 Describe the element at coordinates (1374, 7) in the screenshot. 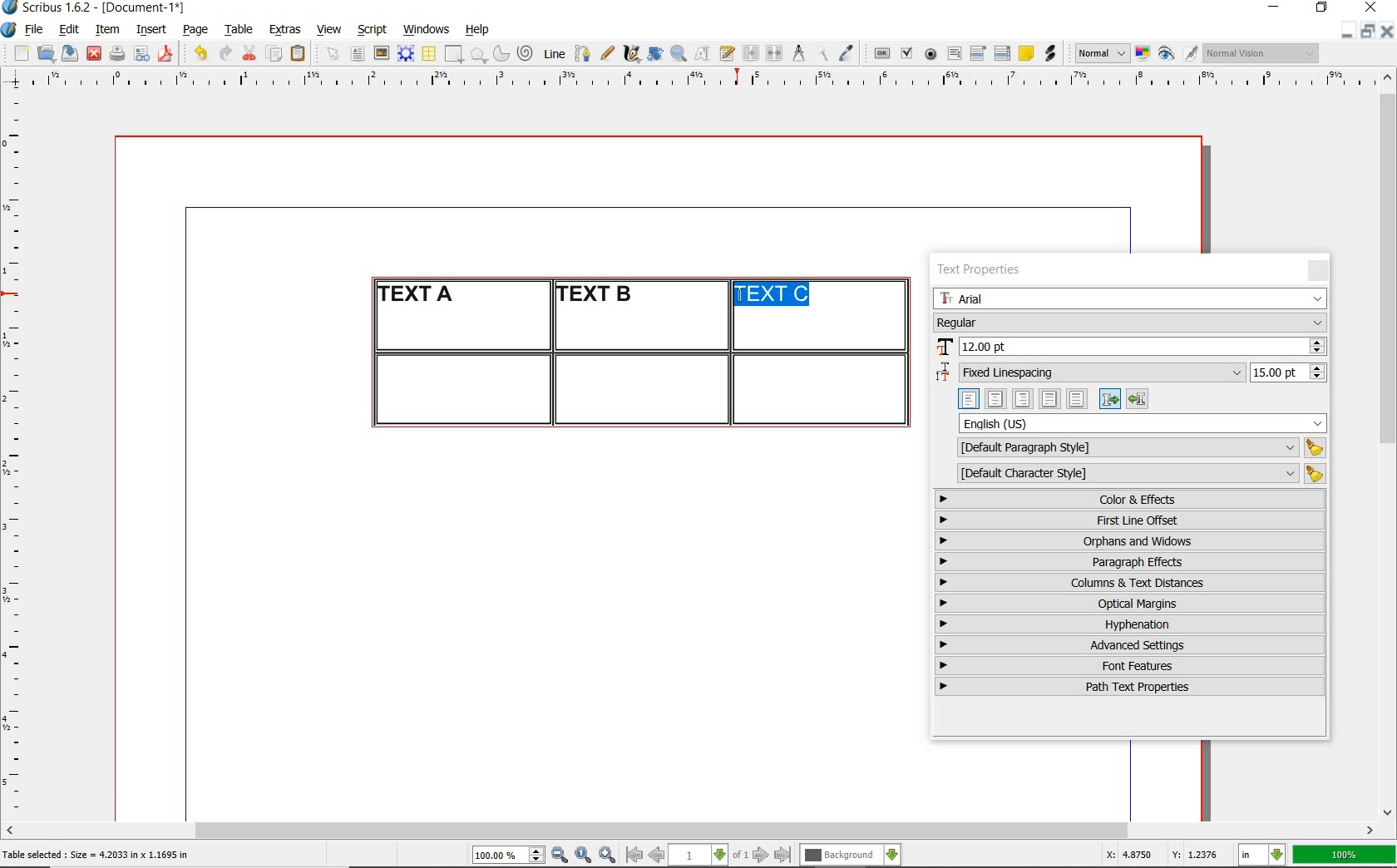

I see `close` at that location.